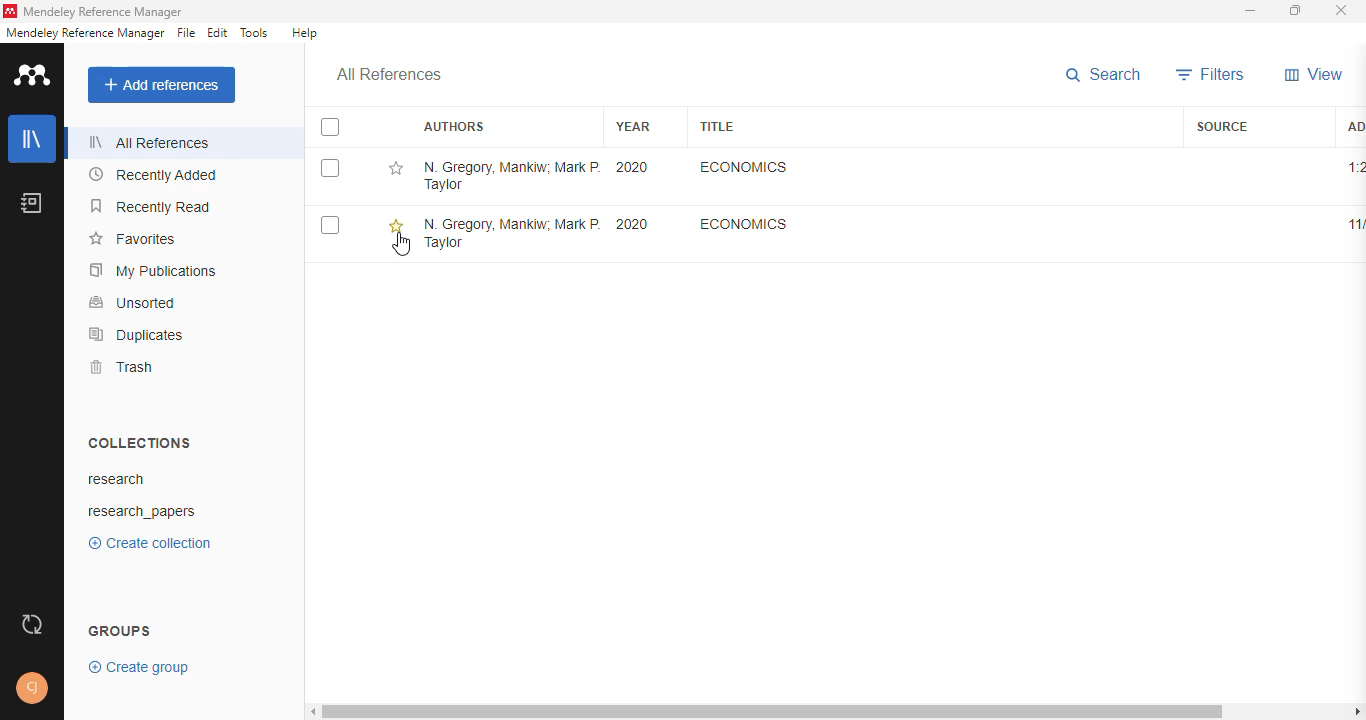 This screenshot has width=1366, height=720. Describe the element at coordinates (254, 33) in the screenshot. I see `tools` at that location.